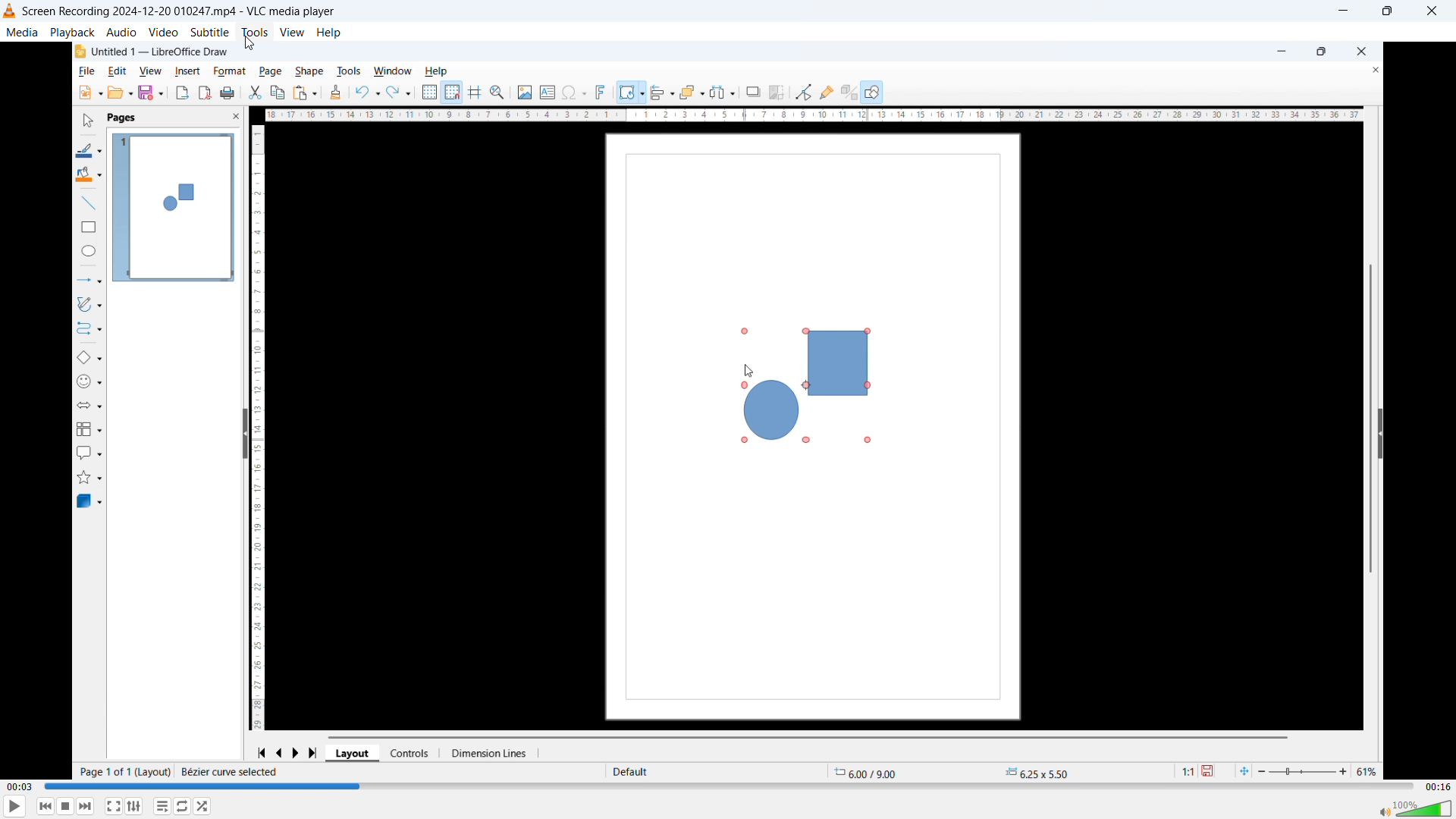 This screenshot has width=1456, height=819. Describe the element at coordinates (114, 806) in the screenshot. I see `Full screen` at that location.